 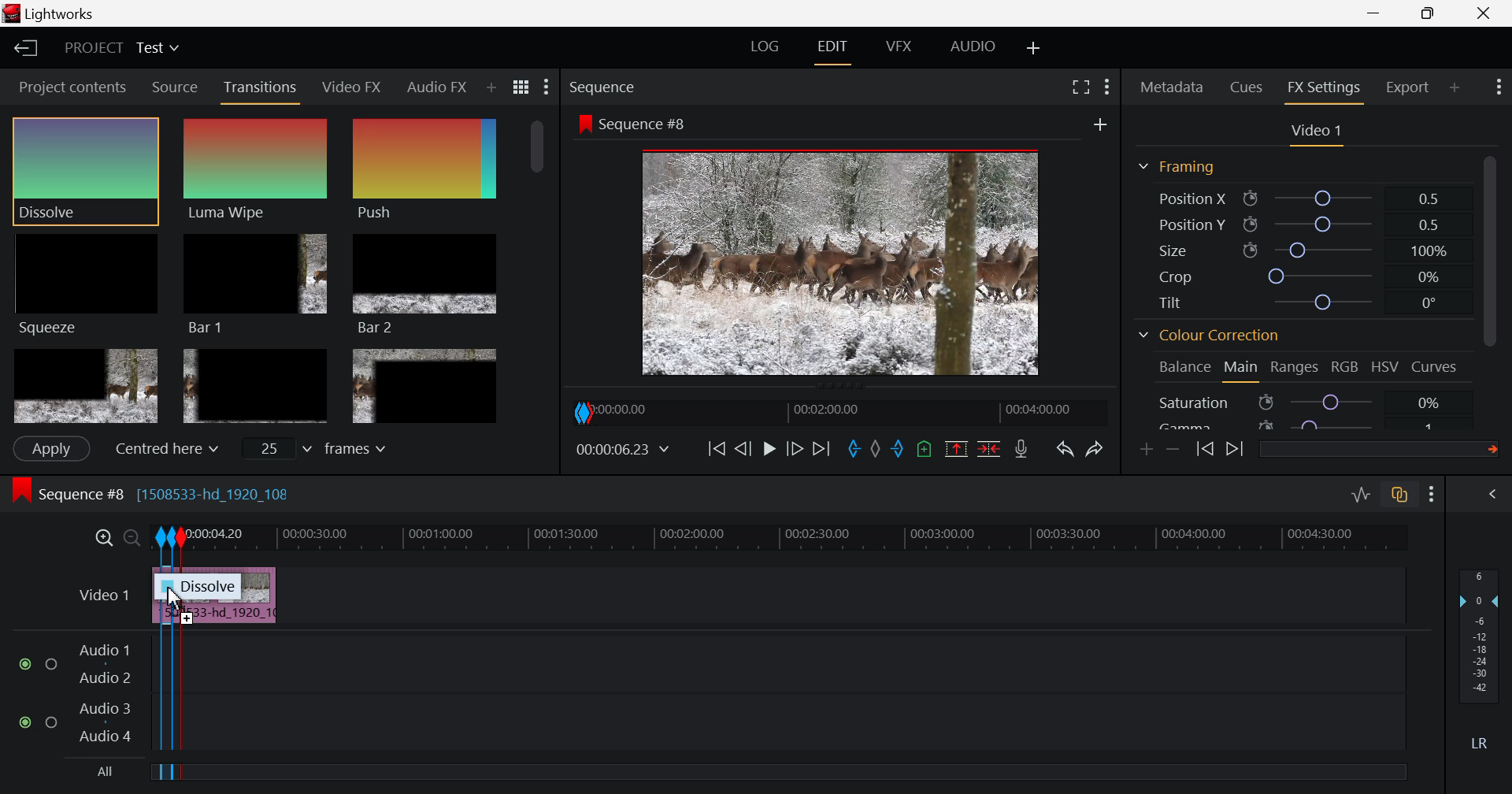 I want to click on Source, so click(x=173, y=86).